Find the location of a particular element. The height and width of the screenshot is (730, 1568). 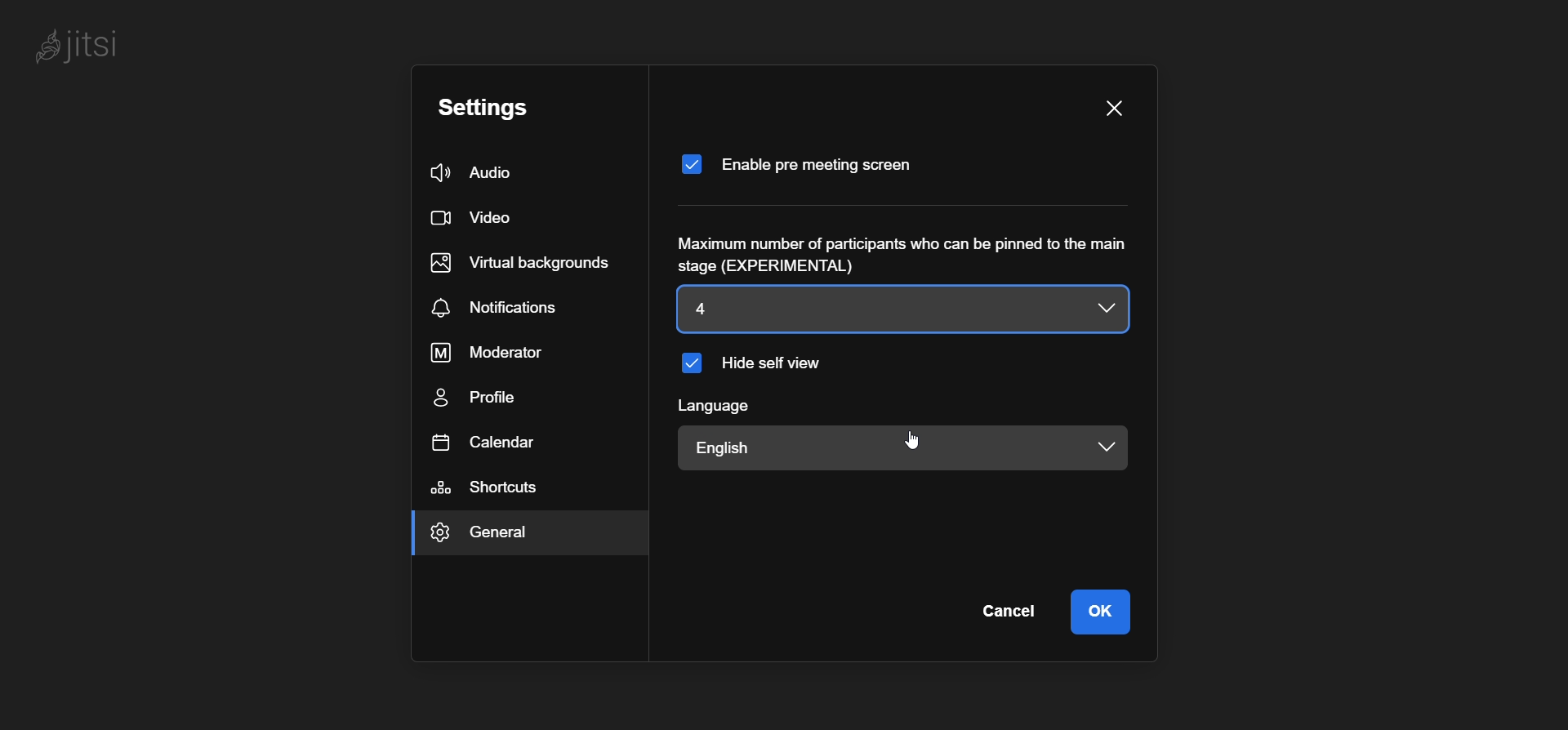

ok is located at coordinates (1106, 610).